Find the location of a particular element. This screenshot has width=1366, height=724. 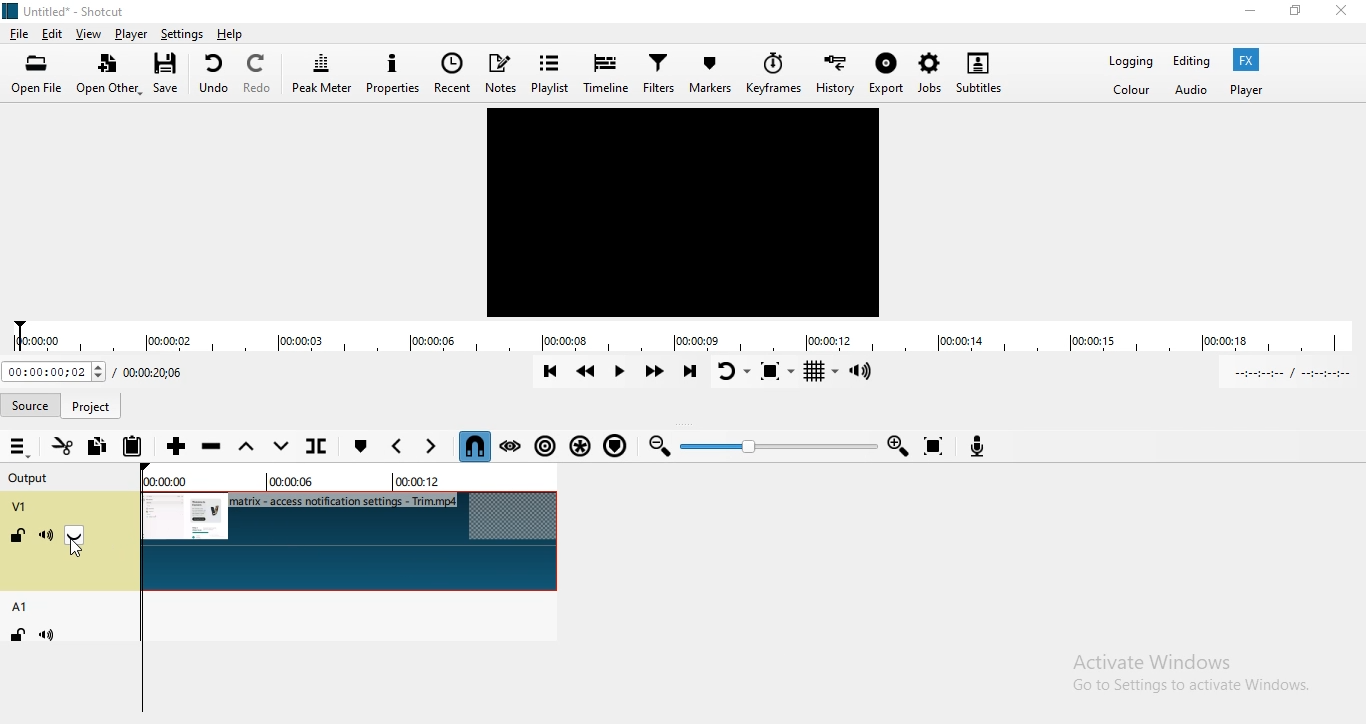

Keyframes is located at coordinates (772, 74).